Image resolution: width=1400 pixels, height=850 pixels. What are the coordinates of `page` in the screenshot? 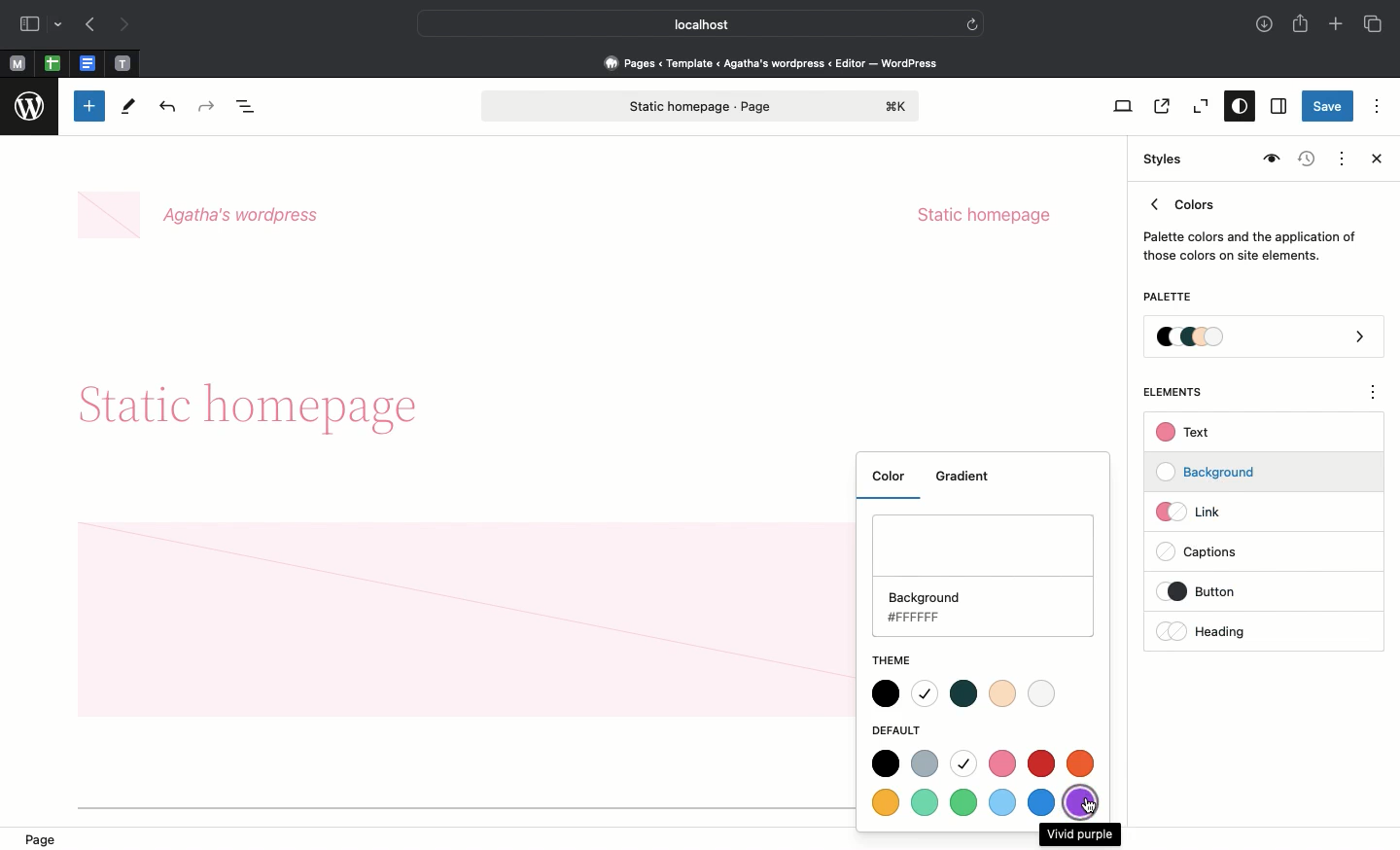 It's located at (50, 837).